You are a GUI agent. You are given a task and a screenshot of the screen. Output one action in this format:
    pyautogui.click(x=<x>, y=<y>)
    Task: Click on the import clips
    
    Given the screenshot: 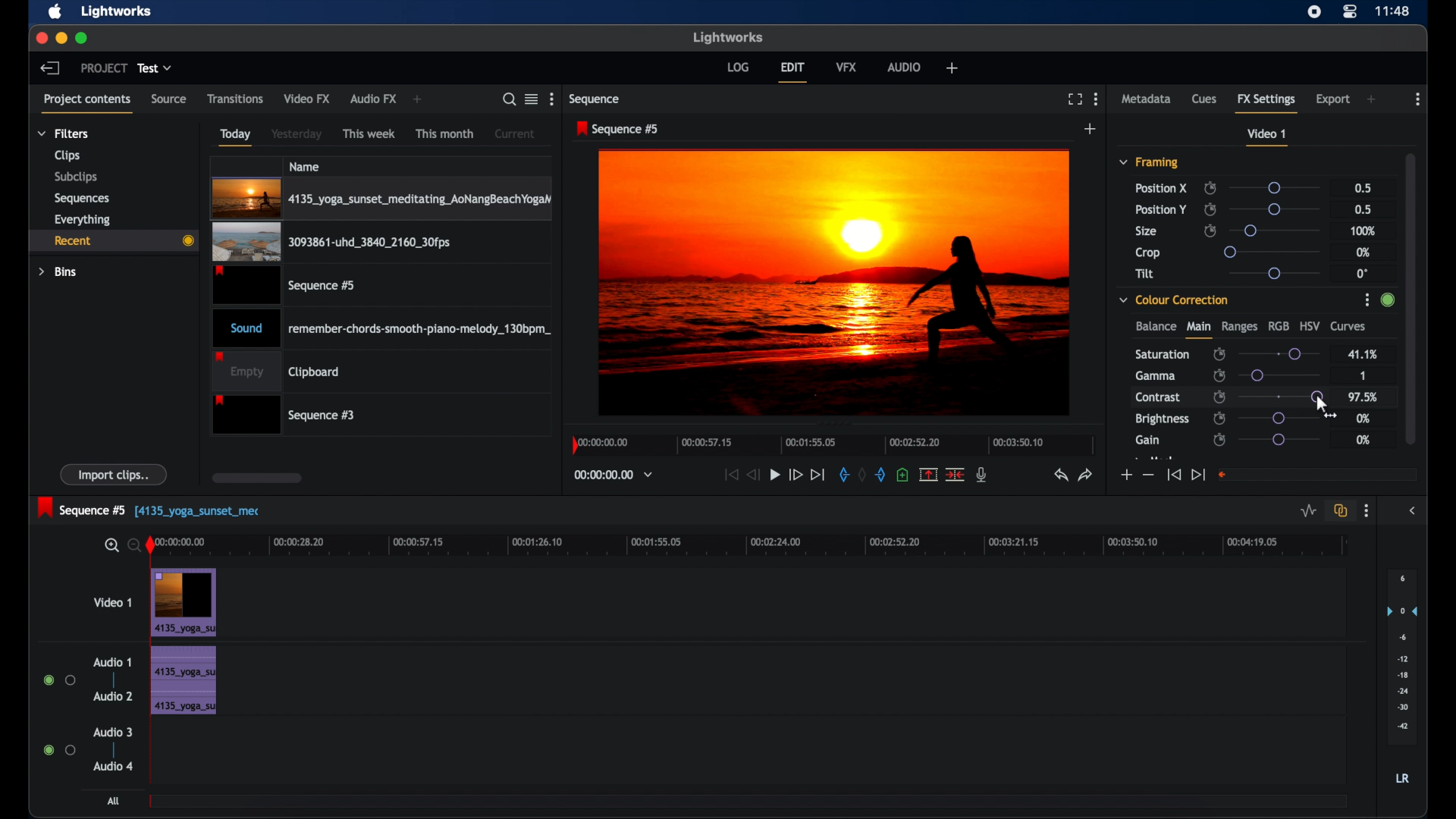 What is the action you would take?
    pyautogui.click(x=115, y=475)
    